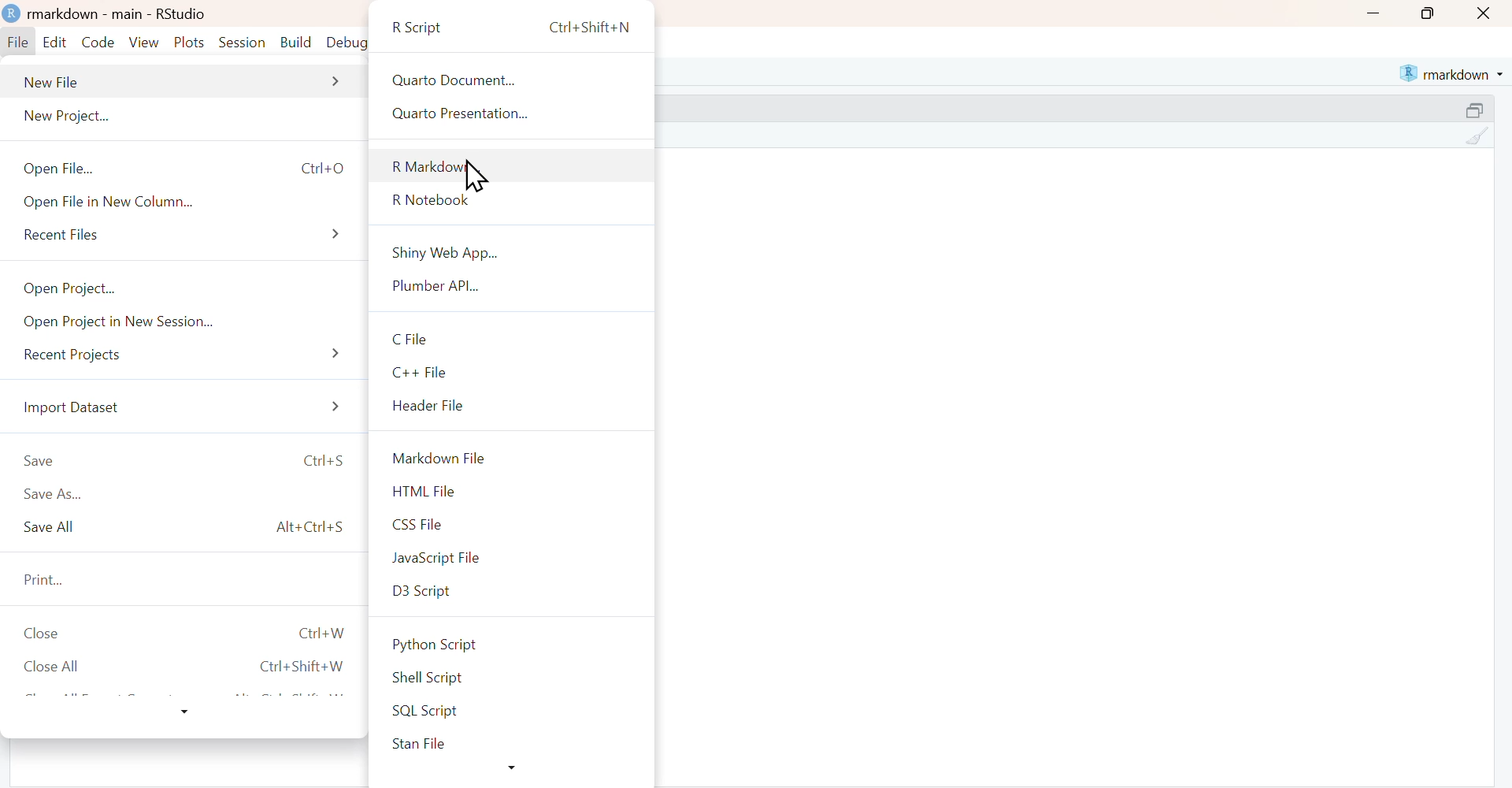 This screenshot has height=788, width=1512. What do you see at coordinates (191, 359) in the screenshot?
I see `Recent projects` at bounding box center [191, 359].